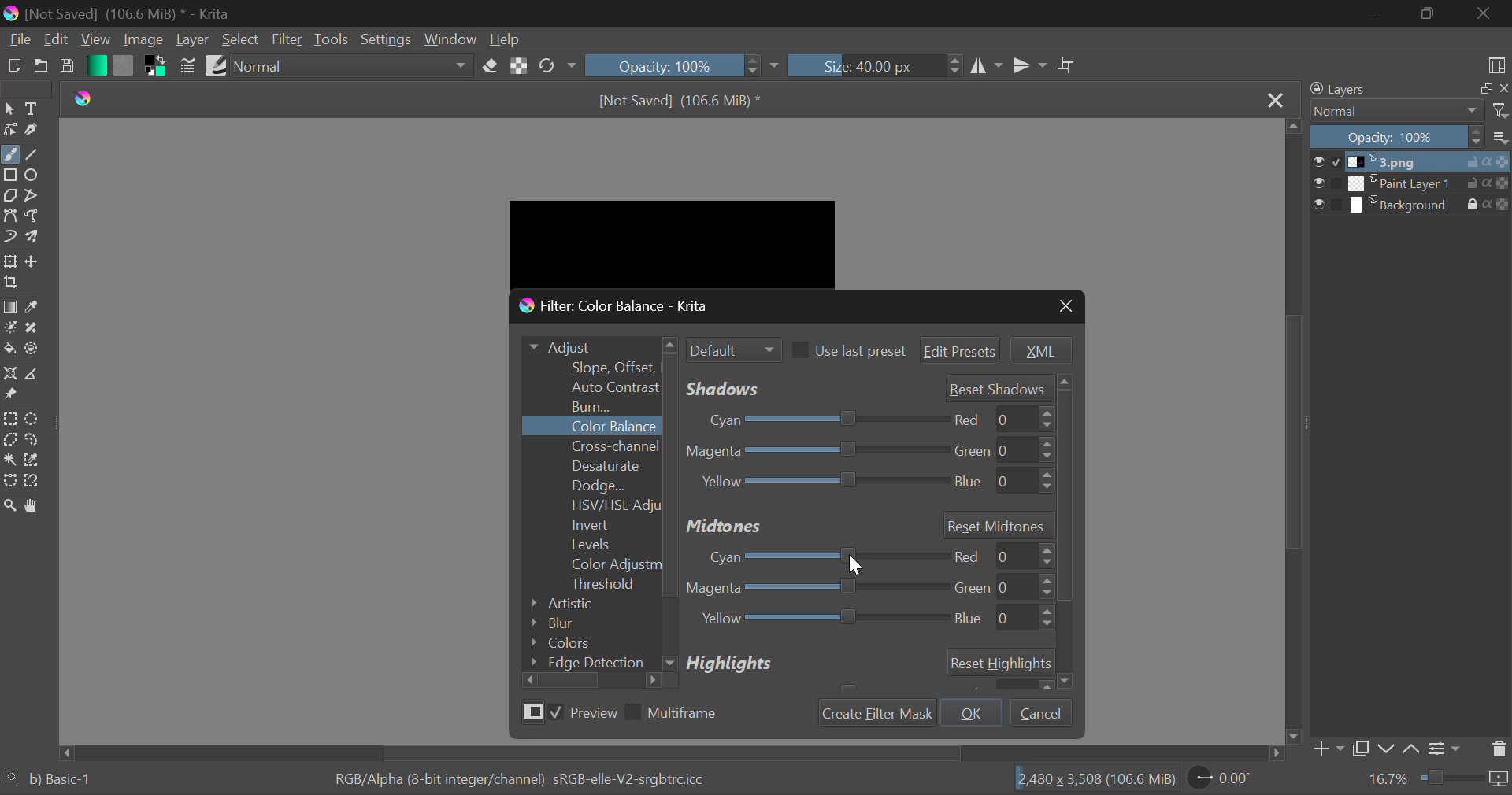 The width and height of the screenshot is (1512, 795). I want to click on Add Layer, so click(1329, 749).